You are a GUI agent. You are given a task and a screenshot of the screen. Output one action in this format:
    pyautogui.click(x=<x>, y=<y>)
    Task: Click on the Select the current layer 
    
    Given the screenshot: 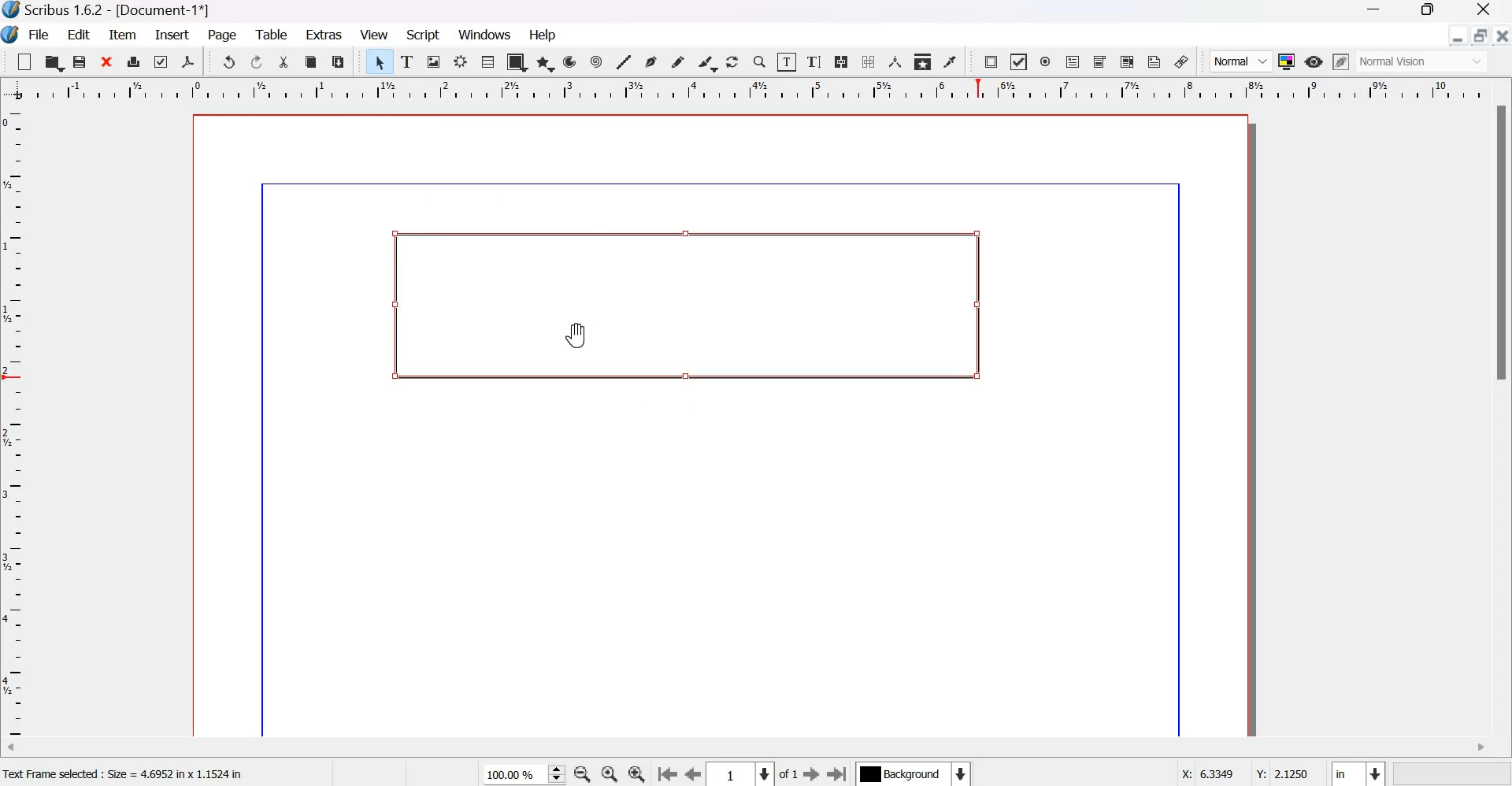 What is the action you would take?
    pyautogui.click(x=912, y=773)
    